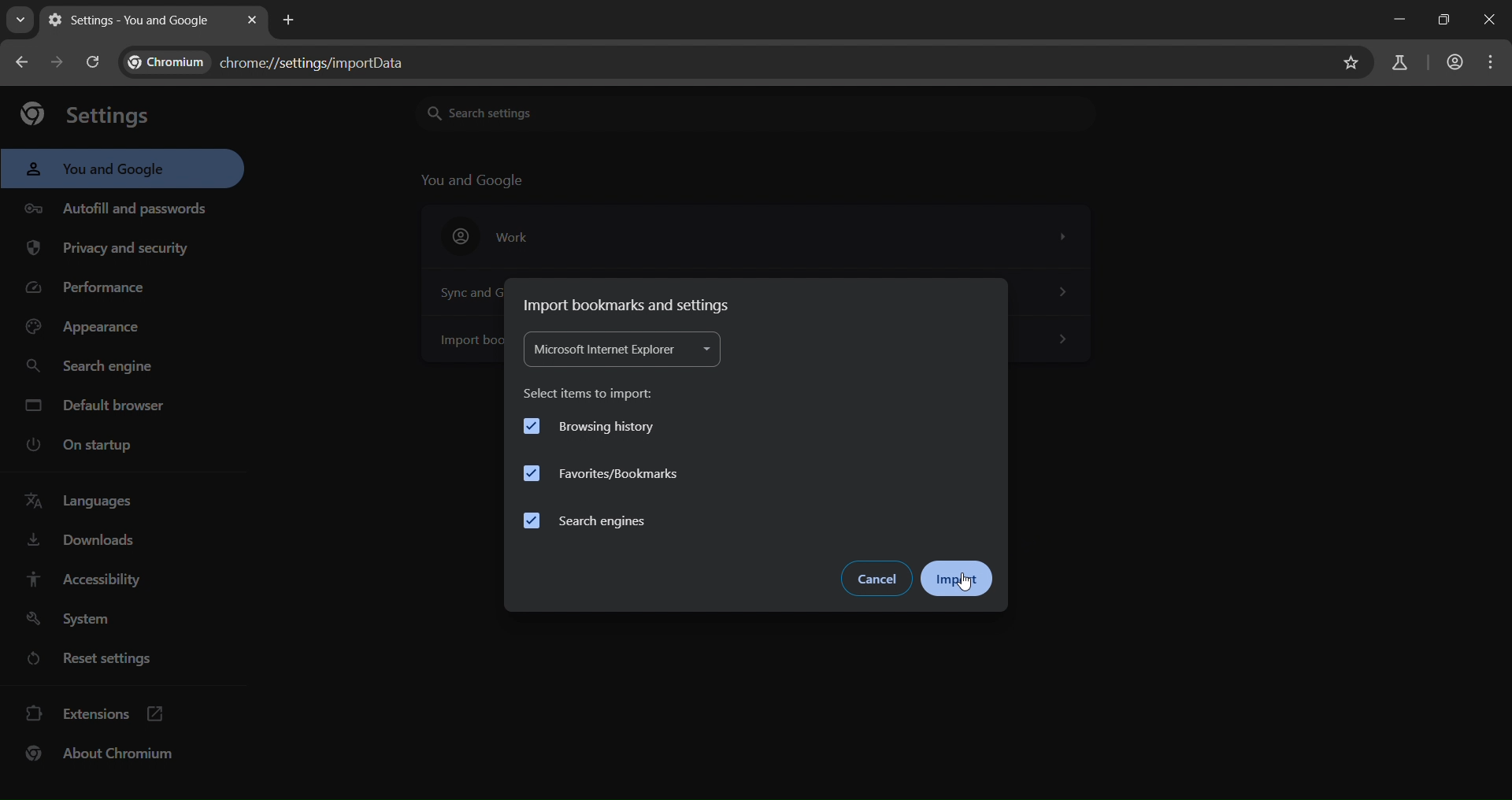 The height and width of the screenshot is (800, 1512). I want to click on rivacy and security, so click(119, 250).